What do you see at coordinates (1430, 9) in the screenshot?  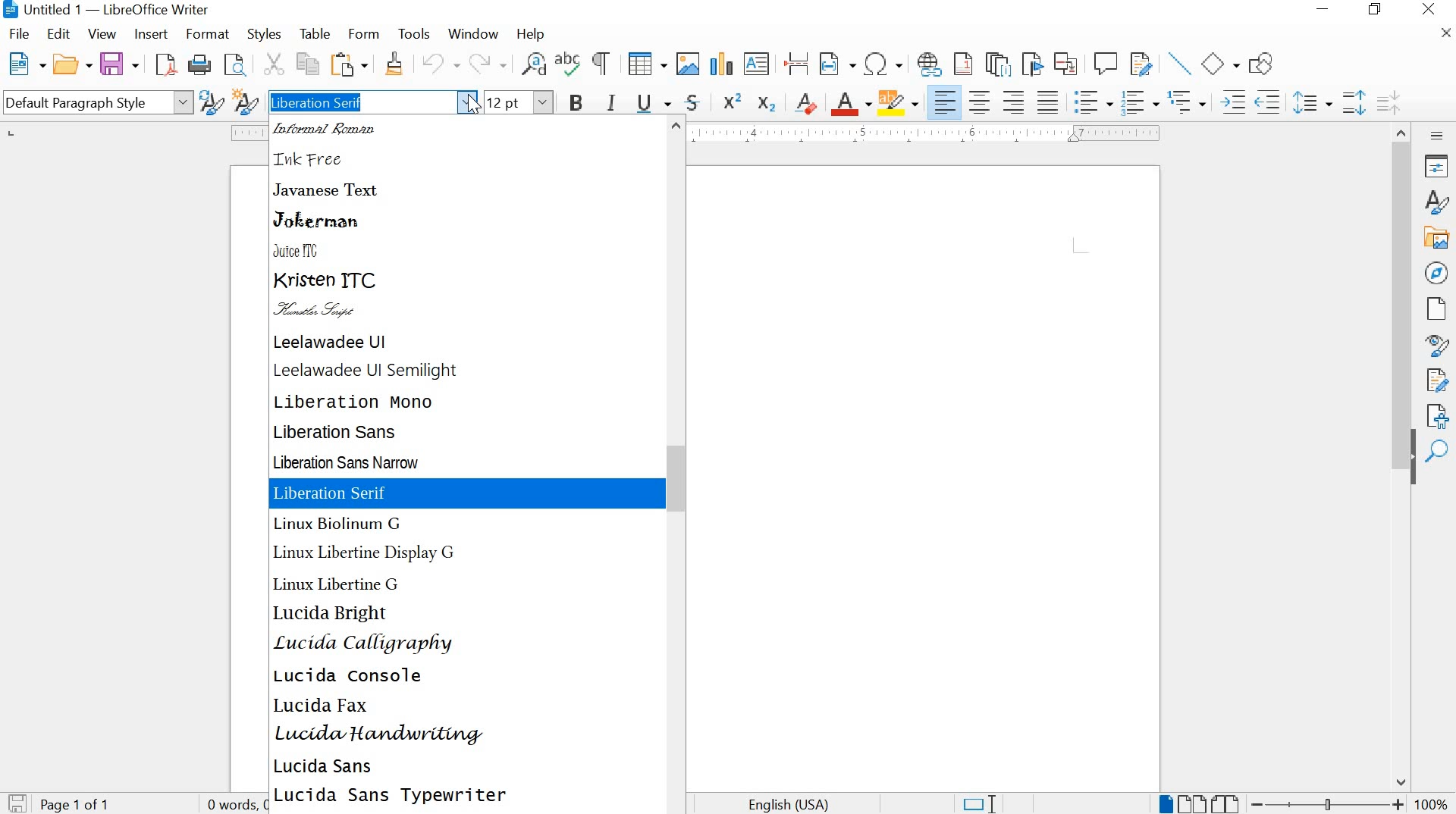 I see `CLOSE` at bounding box center [1430, 9].